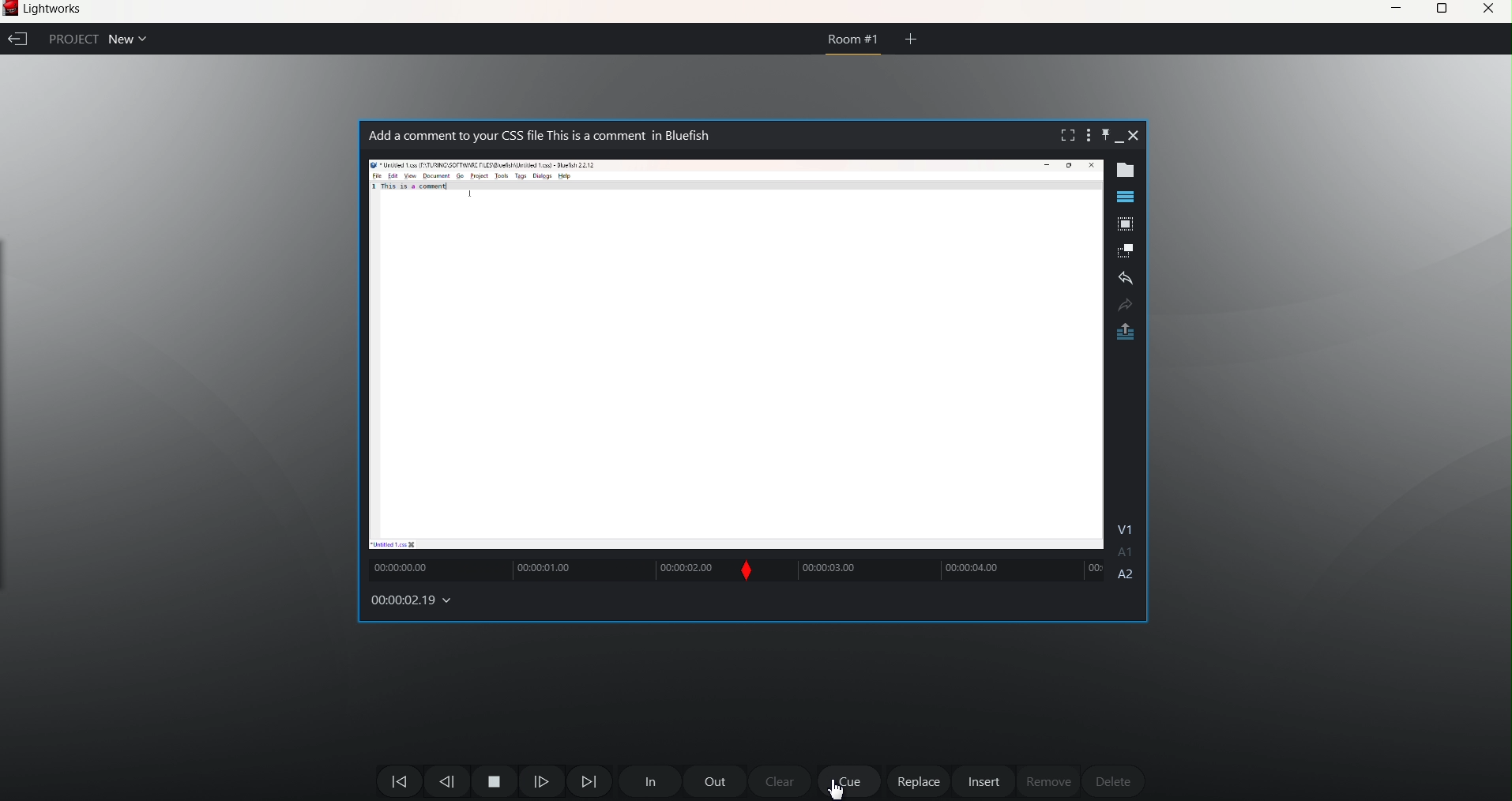 This screenshot has height=801, width=1512. What do you see at coordinates (589, 781) in the screenshot?
I see `Move Forward` at bounding box center [589, 781].